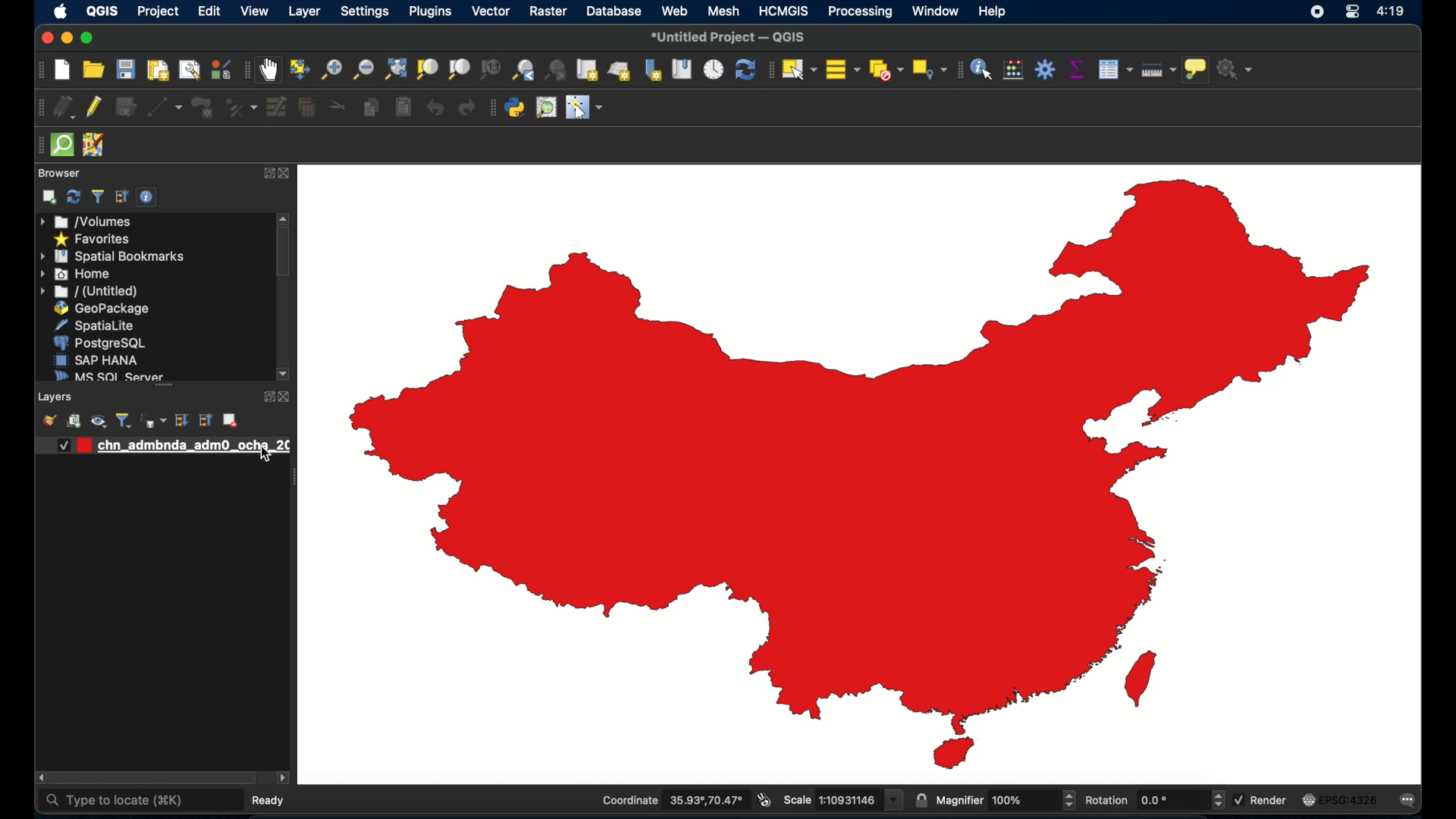 The image size is (1456, 819). Describe the element at coordinates (99, 197) in the screenshot. I see `filter browser` at that location.